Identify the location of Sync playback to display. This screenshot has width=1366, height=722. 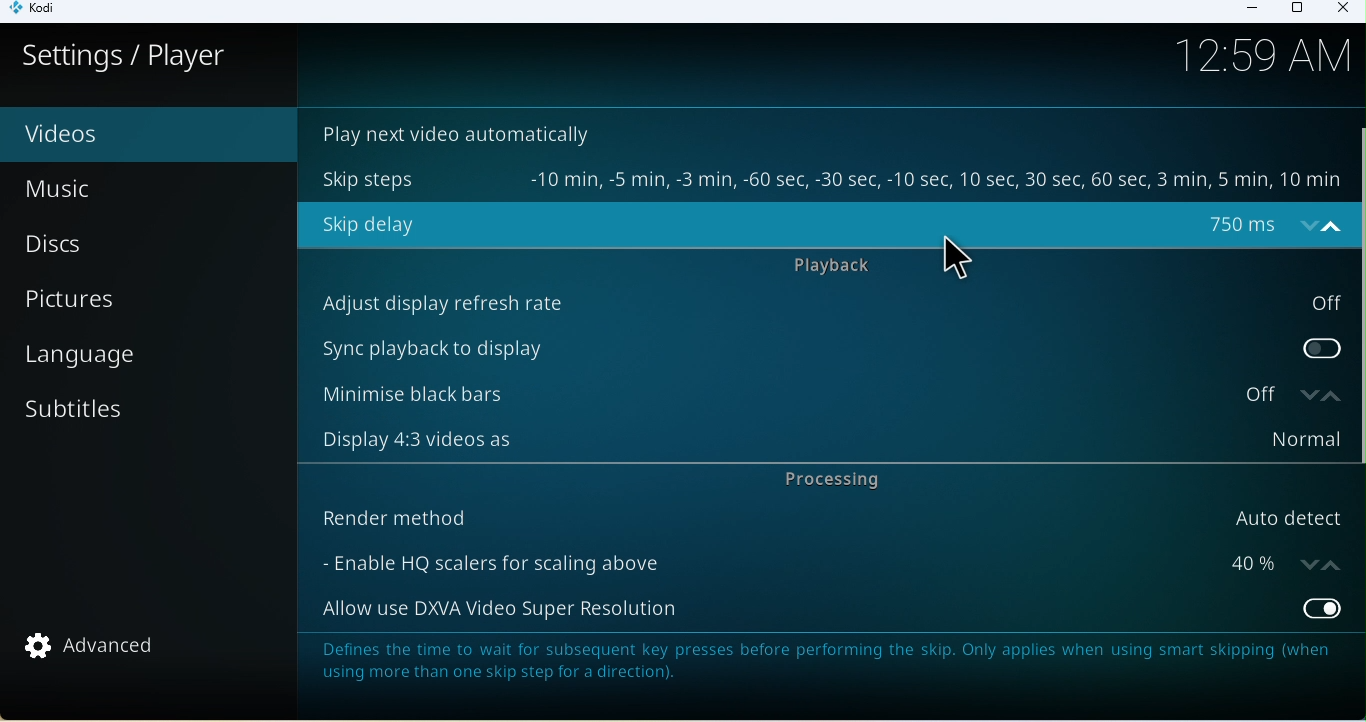
(826, 348).